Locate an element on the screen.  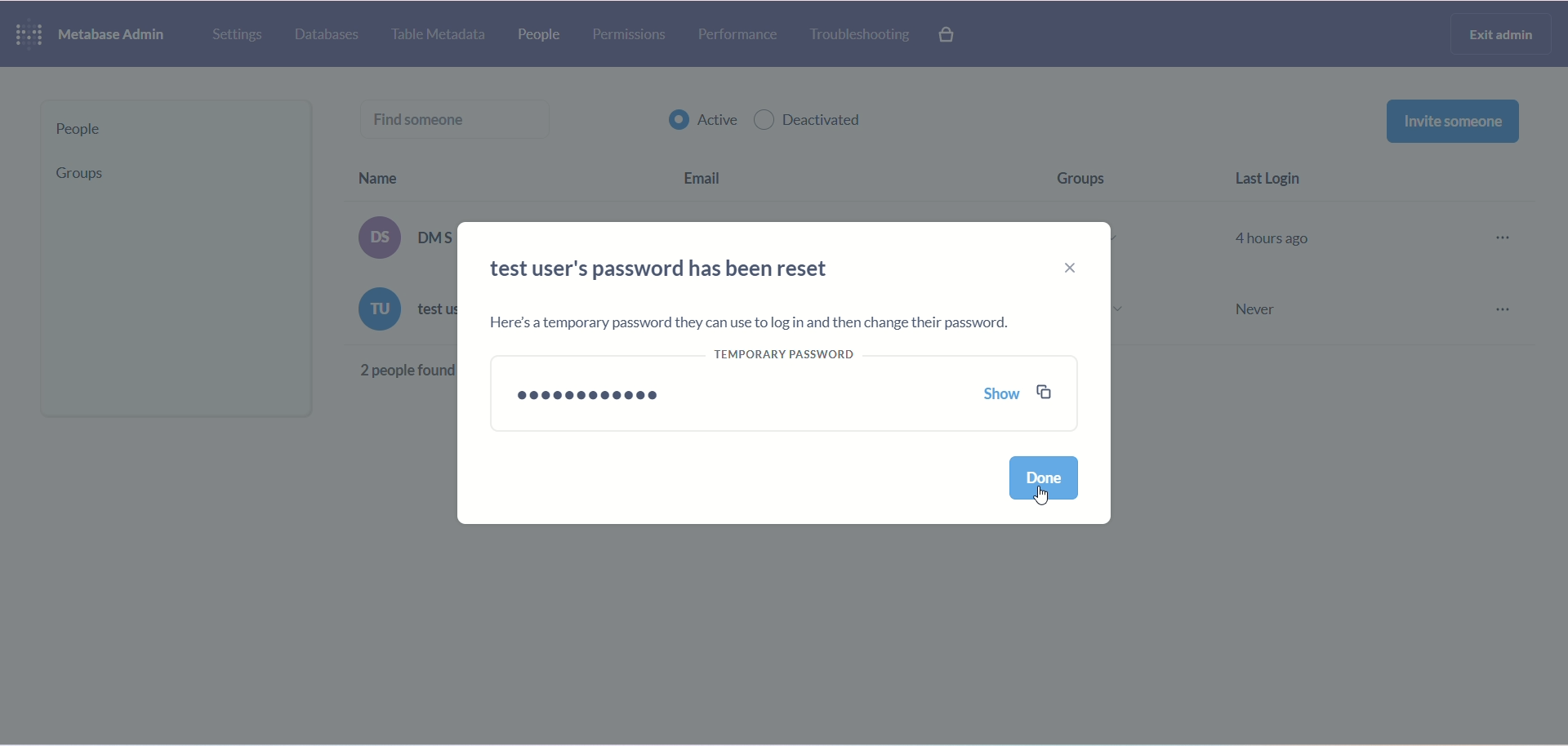
database is located at coordinates (330, 34).